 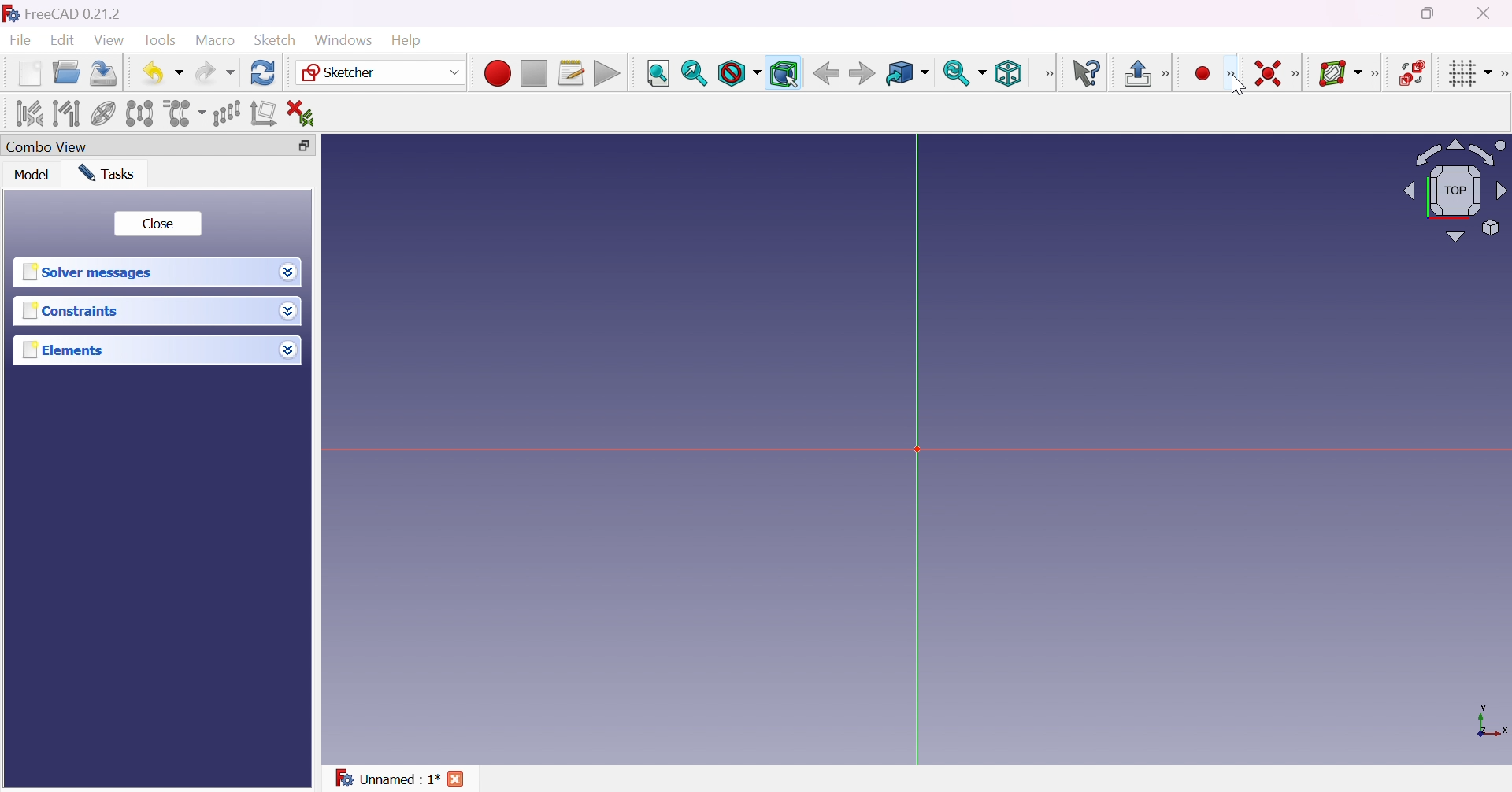 What do you see at coordinates (109, 40) in the screenshot?
I see `View` at bounding box center [109, 40].